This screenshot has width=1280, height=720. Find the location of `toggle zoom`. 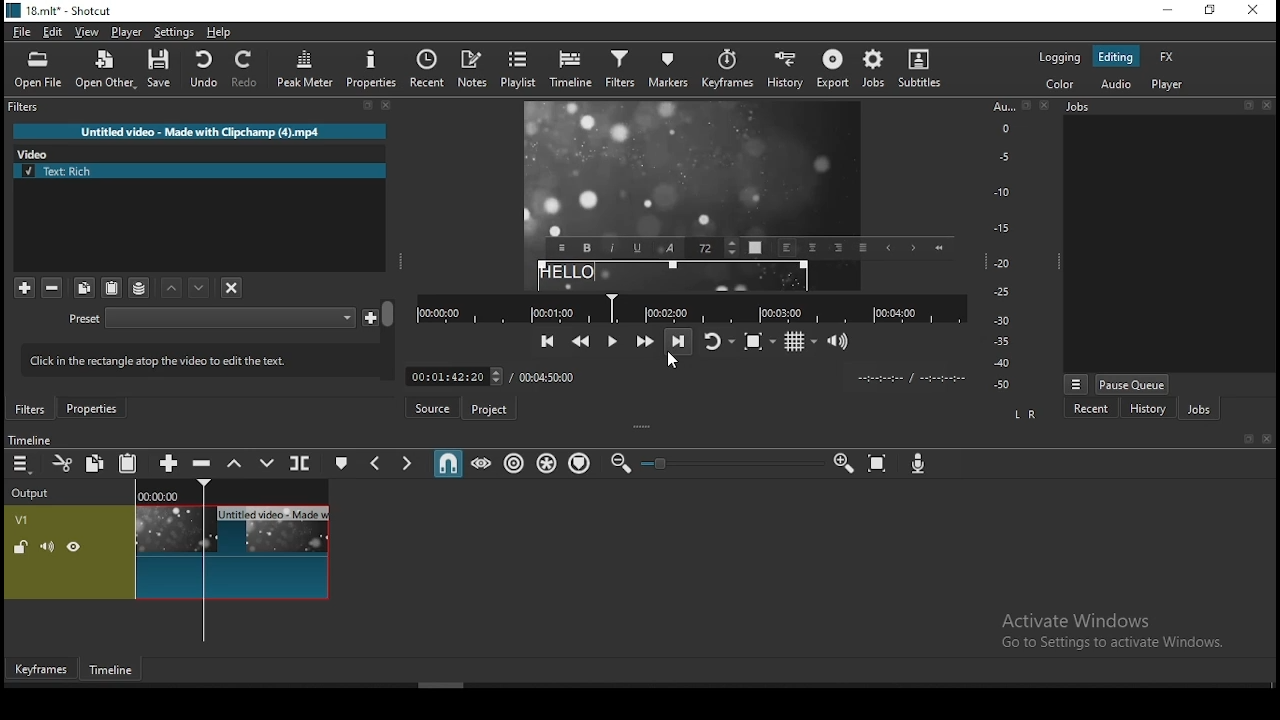

toggle zoom is located at coordinates (760, 341).